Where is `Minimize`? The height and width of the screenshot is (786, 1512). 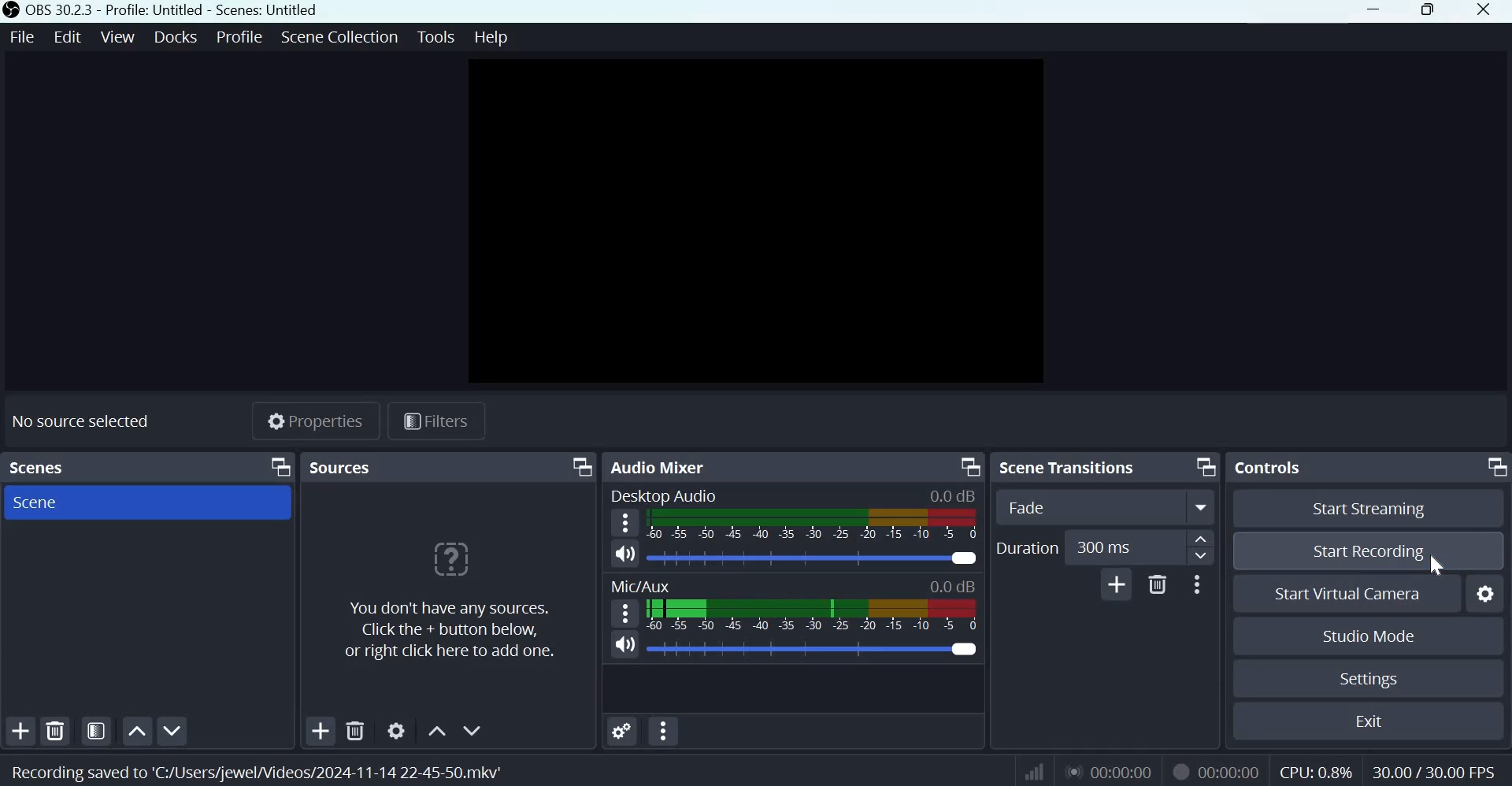
Minimize is located at coordinates (1373, 11).